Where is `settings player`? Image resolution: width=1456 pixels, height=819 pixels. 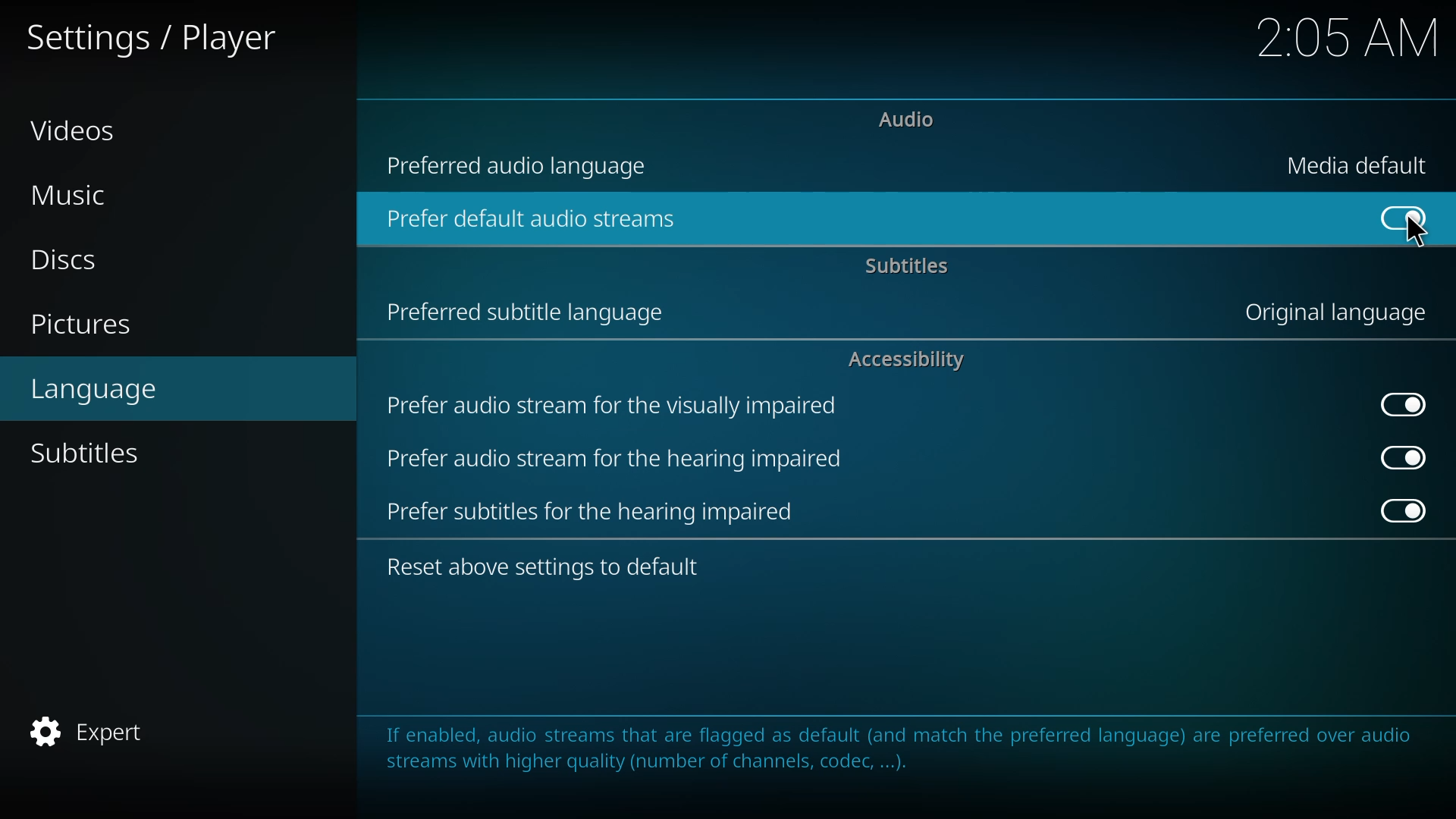
settings player is located at coordinates (155, 37).